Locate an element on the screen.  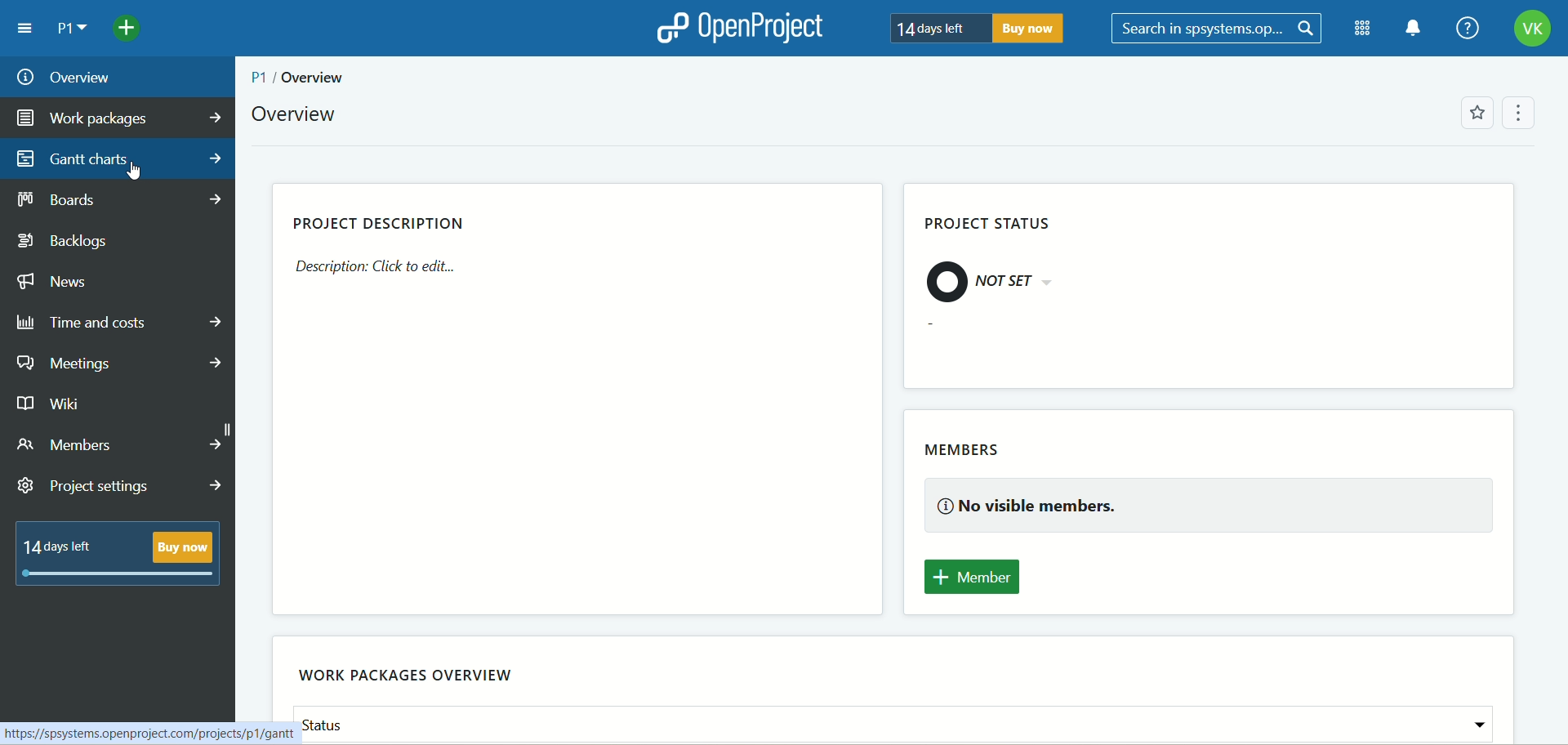
backlog is located at coordinates (75, 242).